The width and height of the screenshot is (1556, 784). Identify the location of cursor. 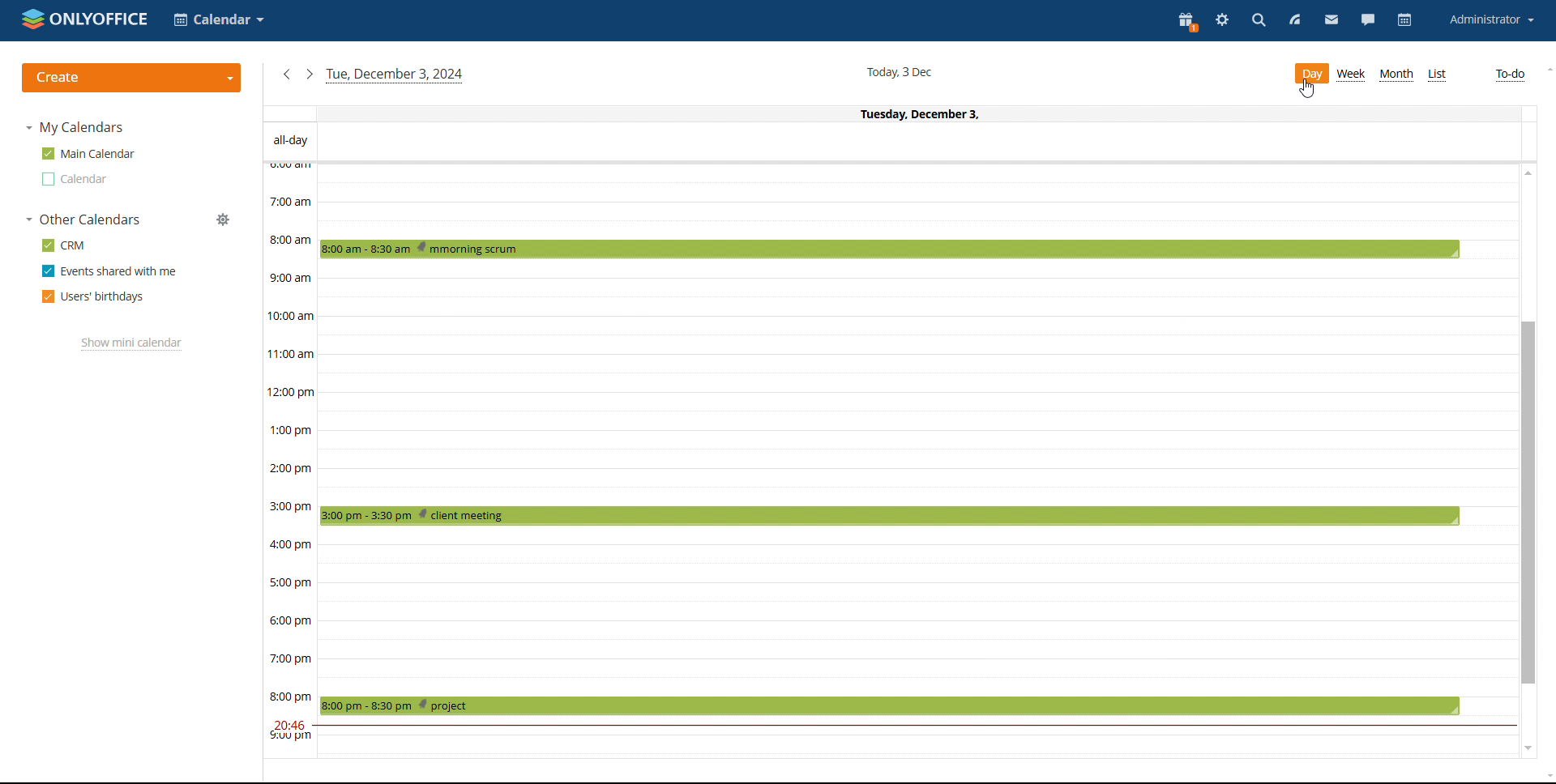
(1305, 91).